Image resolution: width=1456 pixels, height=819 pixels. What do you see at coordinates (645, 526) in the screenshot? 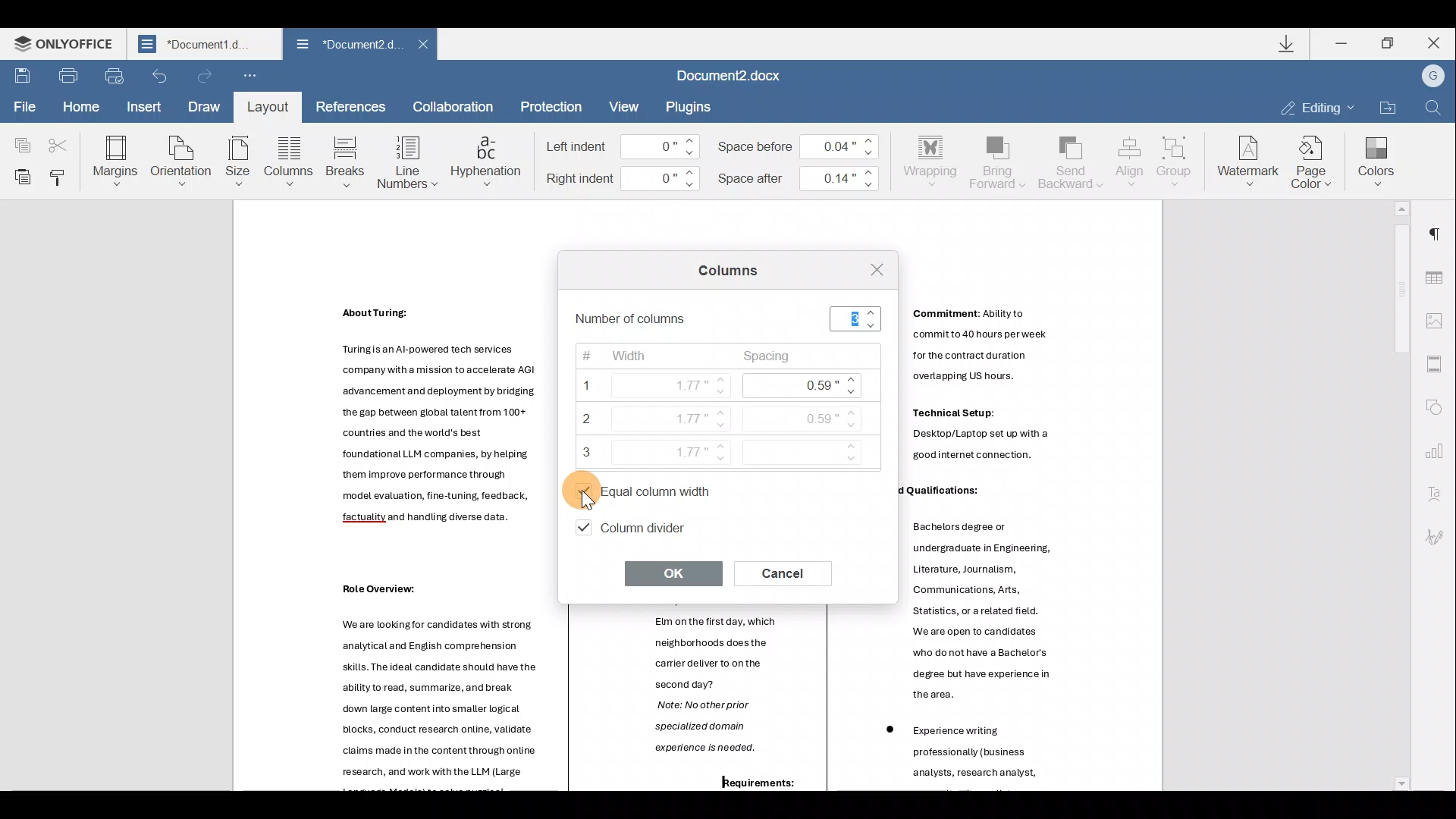
I see `Column divider` at bounding box center [645, 526].